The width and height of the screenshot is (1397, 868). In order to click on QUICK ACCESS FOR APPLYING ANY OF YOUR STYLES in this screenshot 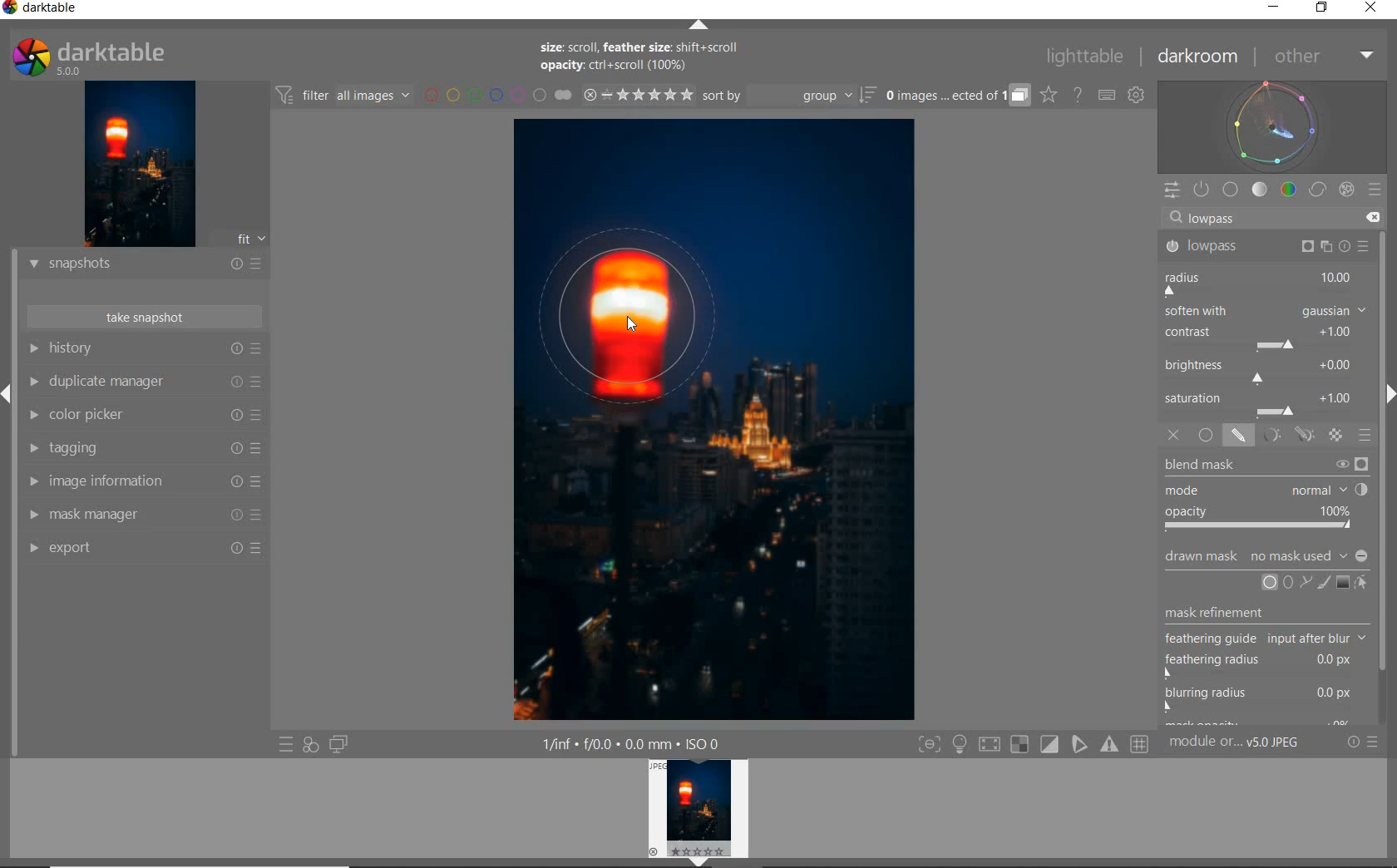, I will do `click(309, 745)`.